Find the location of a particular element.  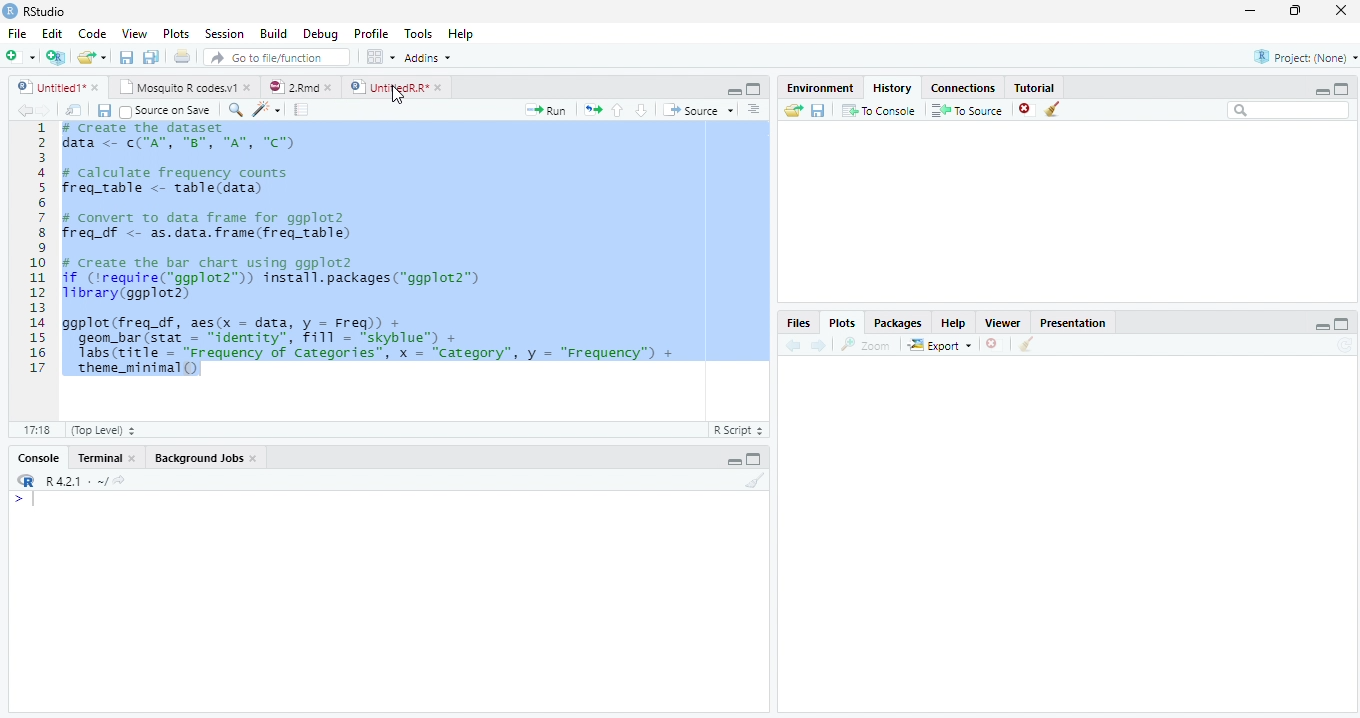

Go ro file/function is located at coordinates (275, 58).